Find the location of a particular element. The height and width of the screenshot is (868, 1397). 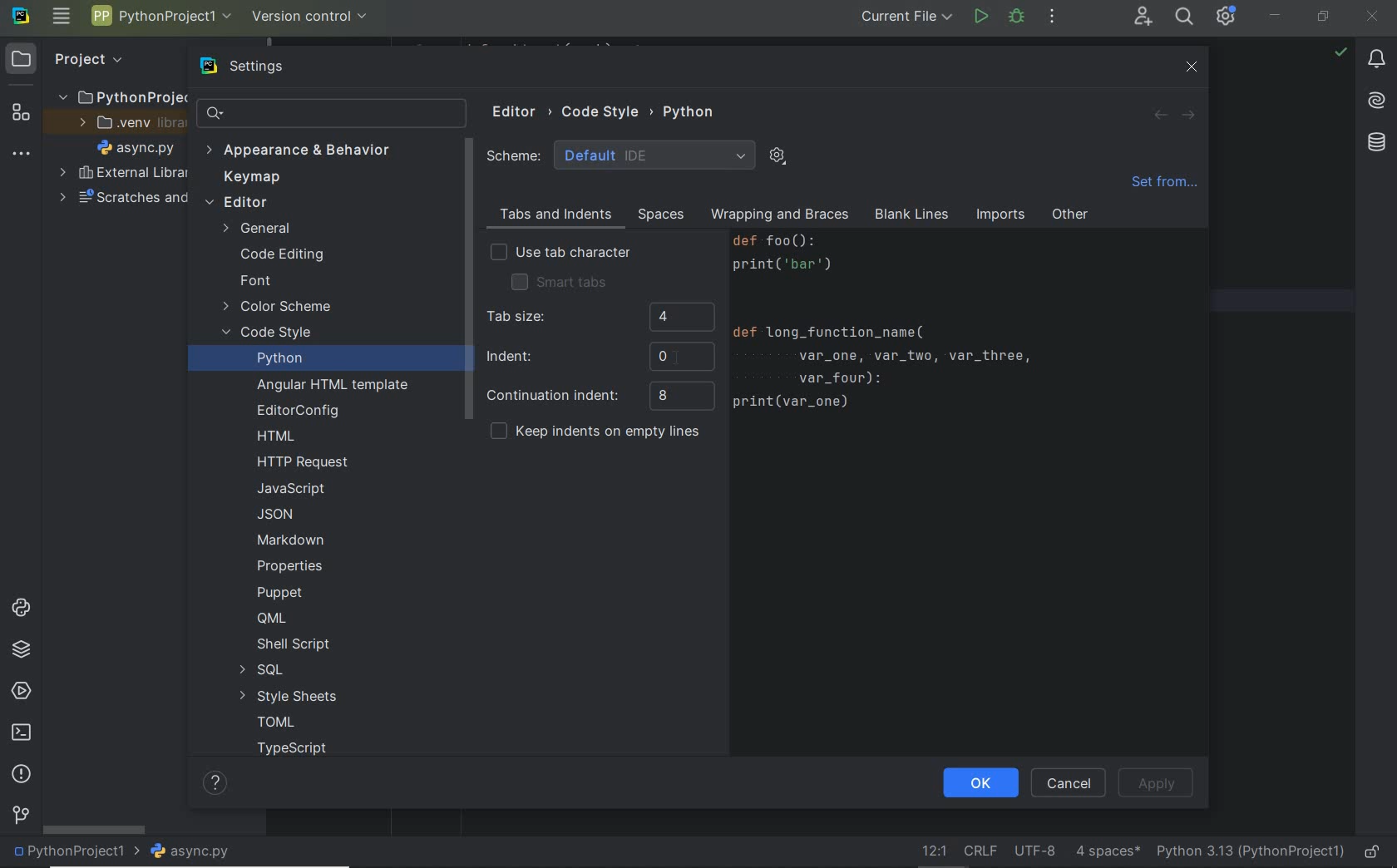

Font is located at coordinates (254, 281).